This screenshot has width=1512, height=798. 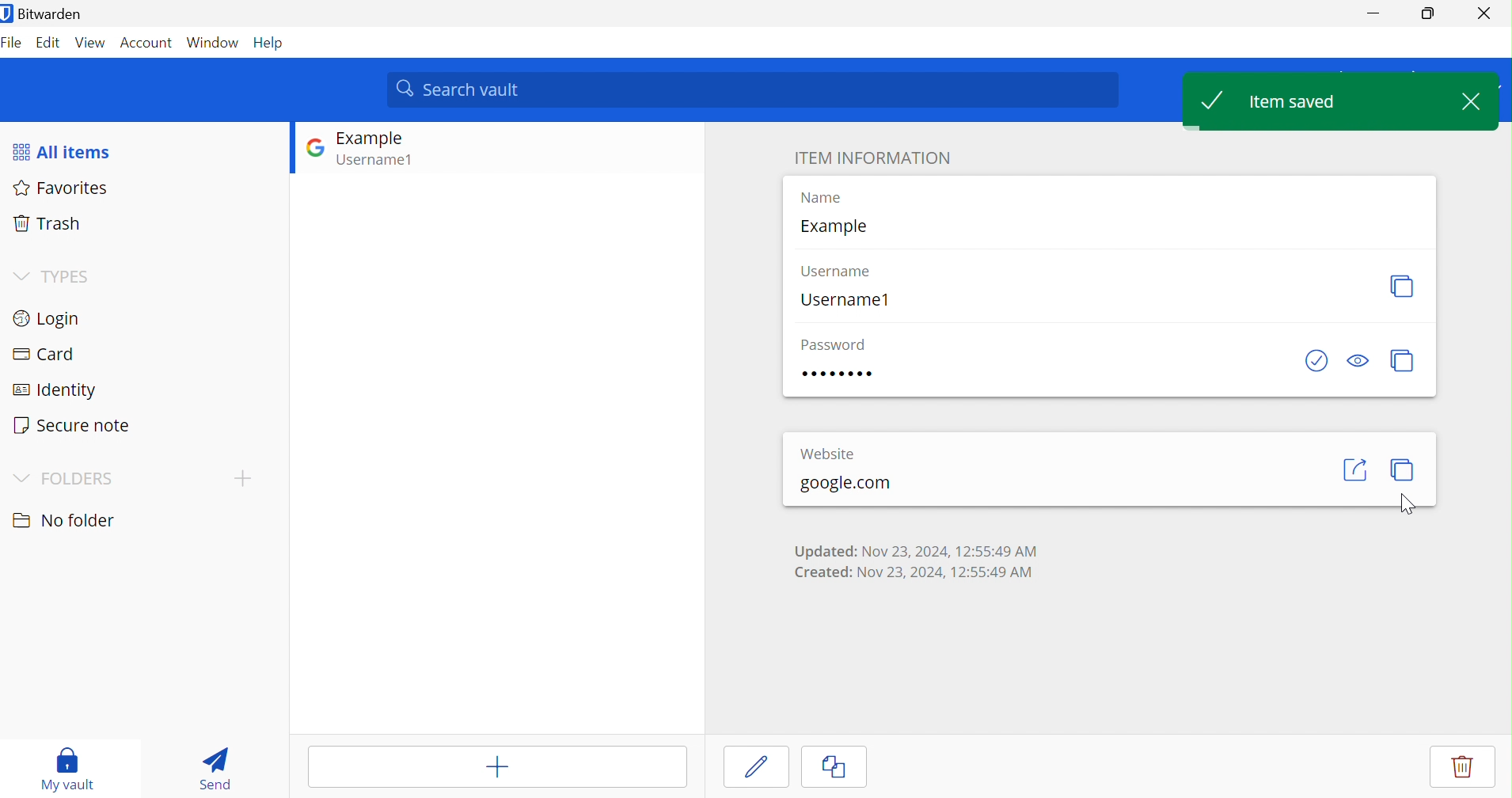 What do you see at coordinates (246, 481) in the screenshot?
I see `CREATE FOLDER` at bounding box center [246, 481].